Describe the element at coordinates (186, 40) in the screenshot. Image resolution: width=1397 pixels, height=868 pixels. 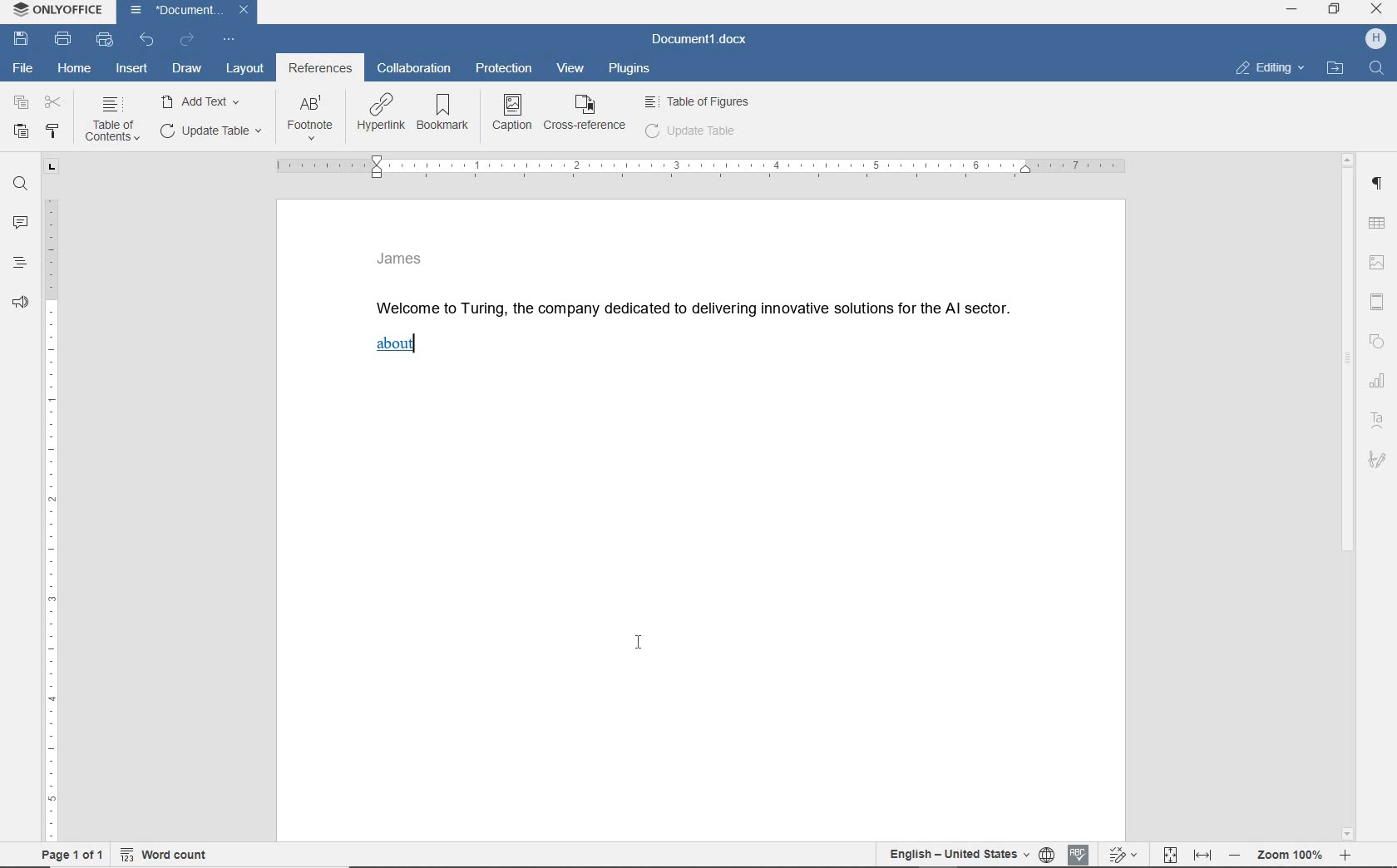
I see `redo` at that location.